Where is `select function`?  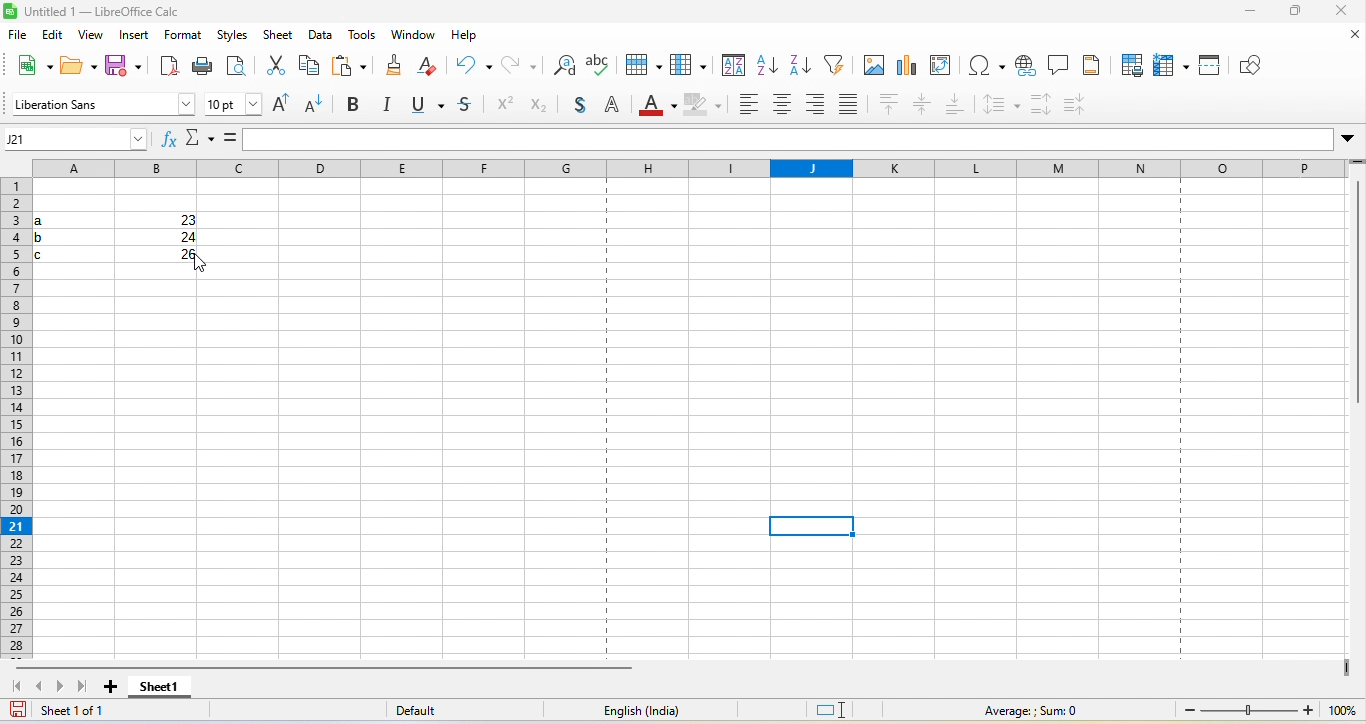 select function is located at coordinates (199, 138).